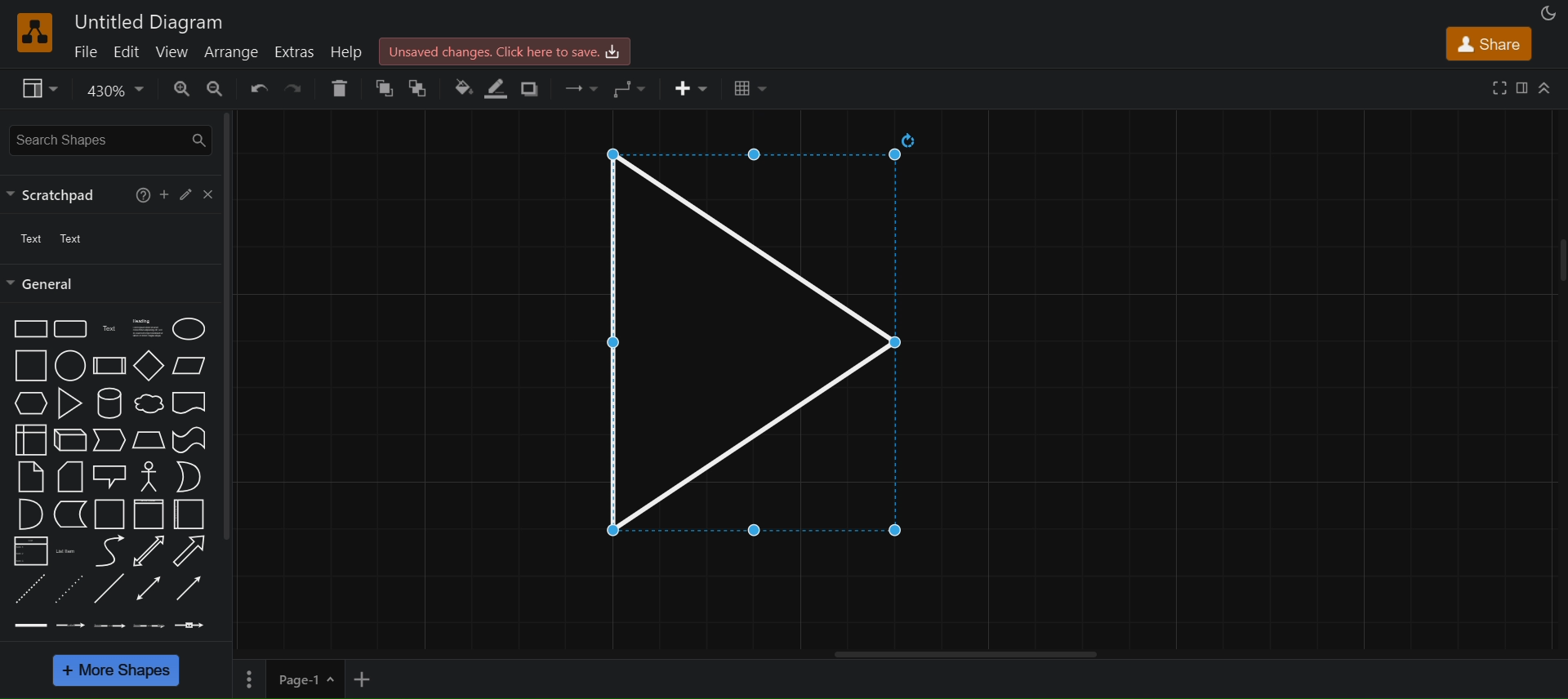 This screenshot has height=699, width=1568. What do you see at coordinates (181, 89) in the screenshot?
I see `zoom in` at bounding box center [181, 89].